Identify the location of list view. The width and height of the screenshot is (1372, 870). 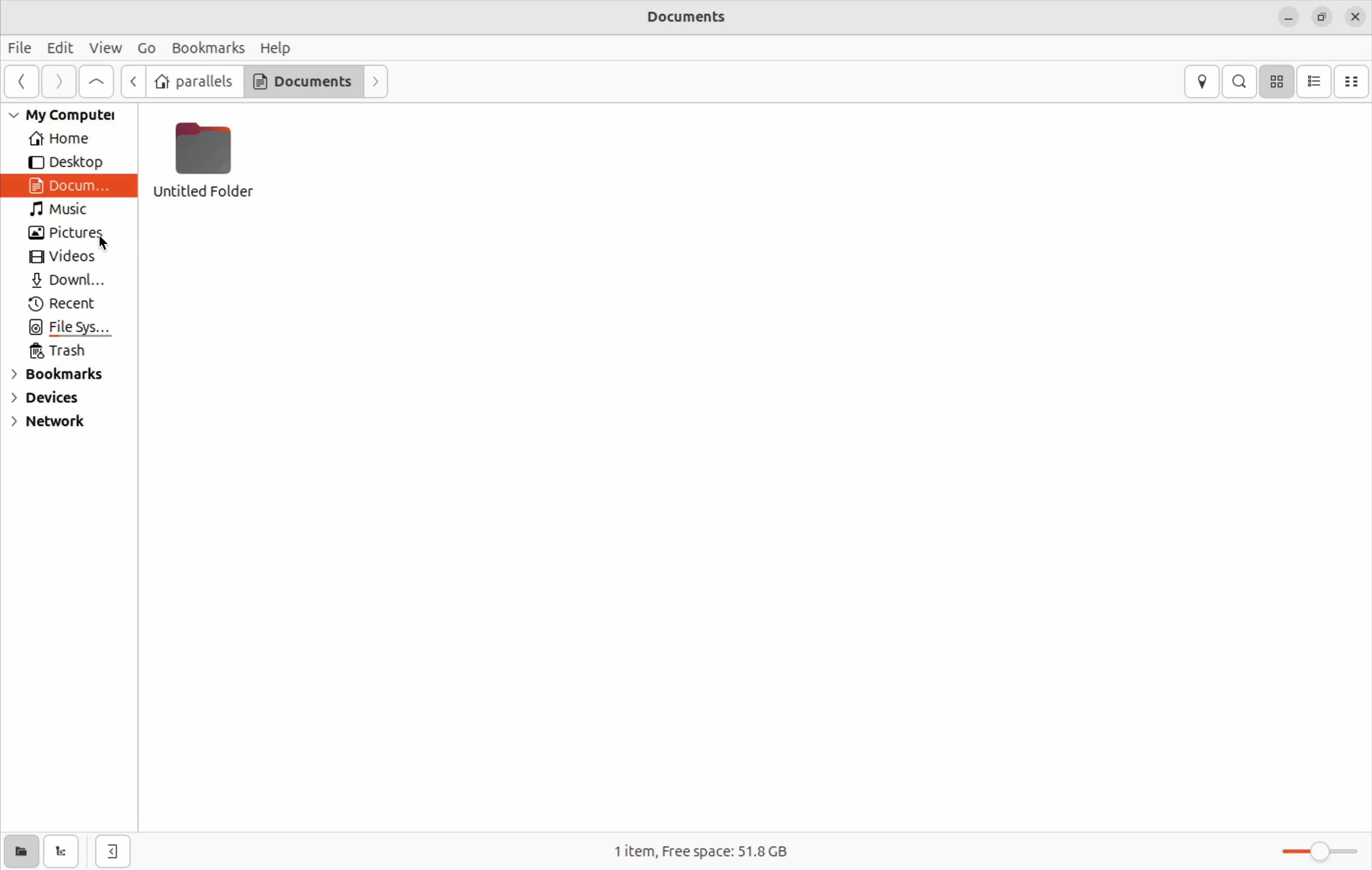
(1315, 81).